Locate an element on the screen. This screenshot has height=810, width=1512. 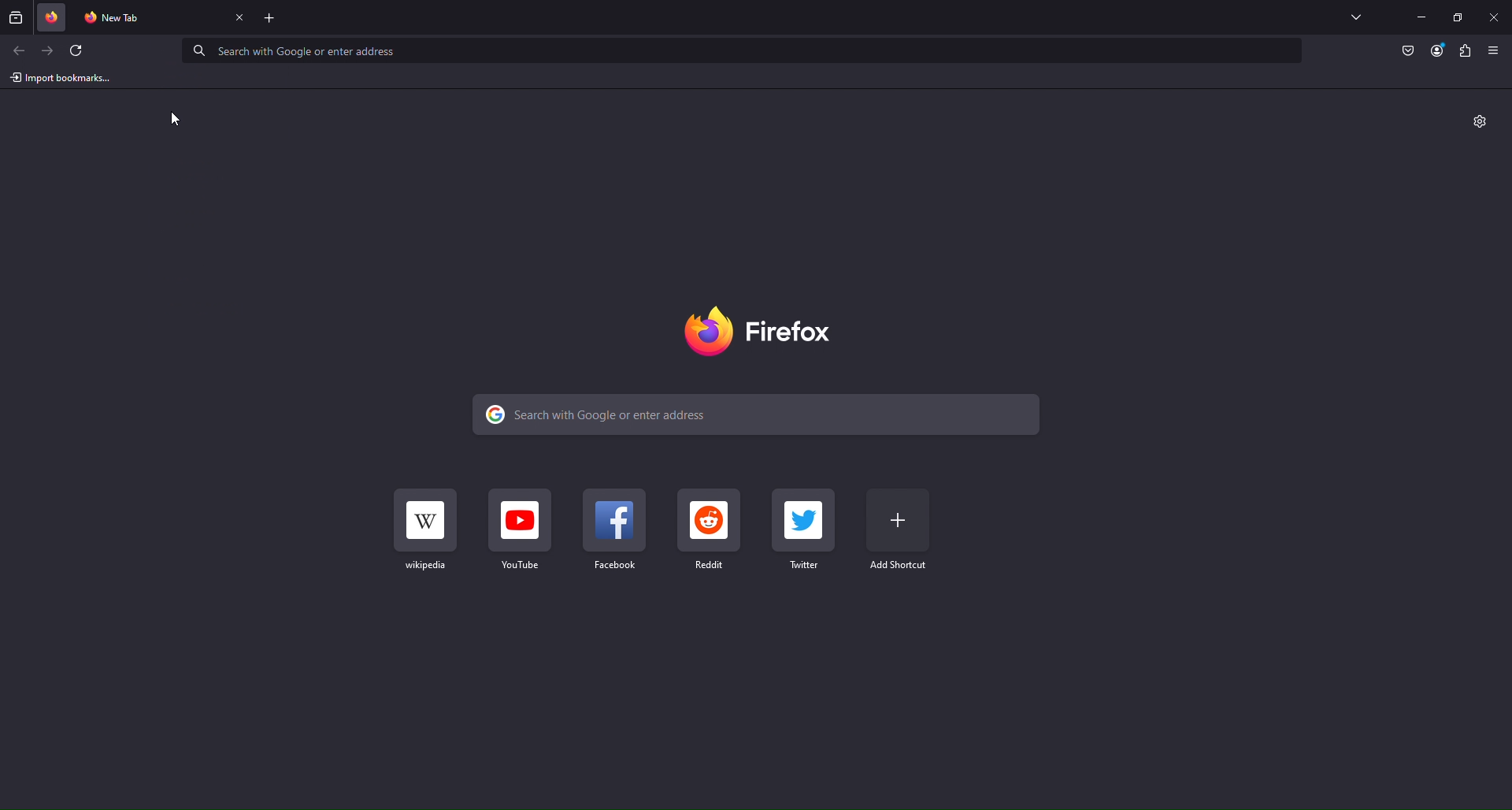
Pocket is located at coordinates (1410, 51).